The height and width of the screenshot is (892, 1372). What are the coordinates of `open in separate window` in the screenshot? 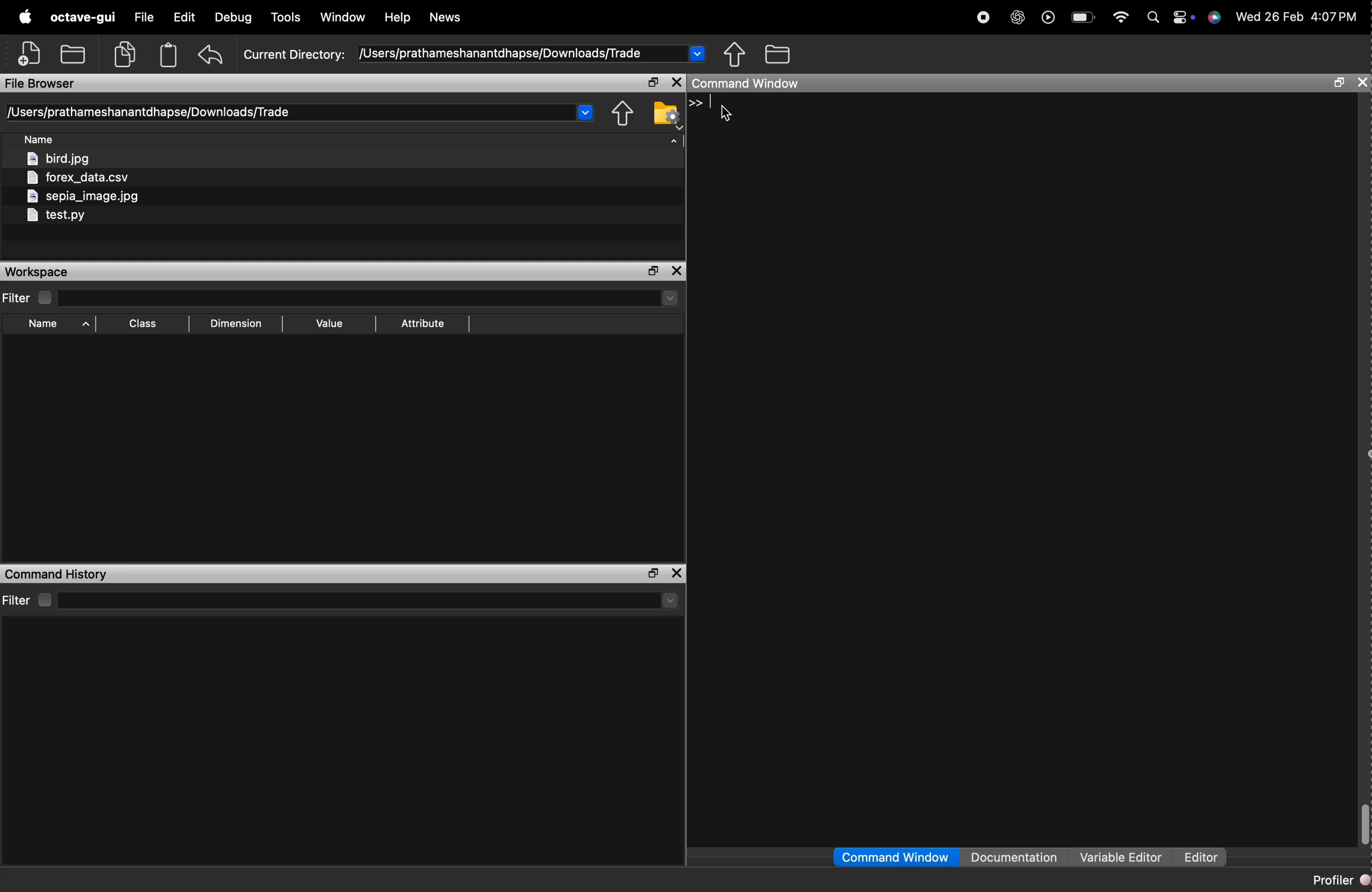 It's located at (653, 82).